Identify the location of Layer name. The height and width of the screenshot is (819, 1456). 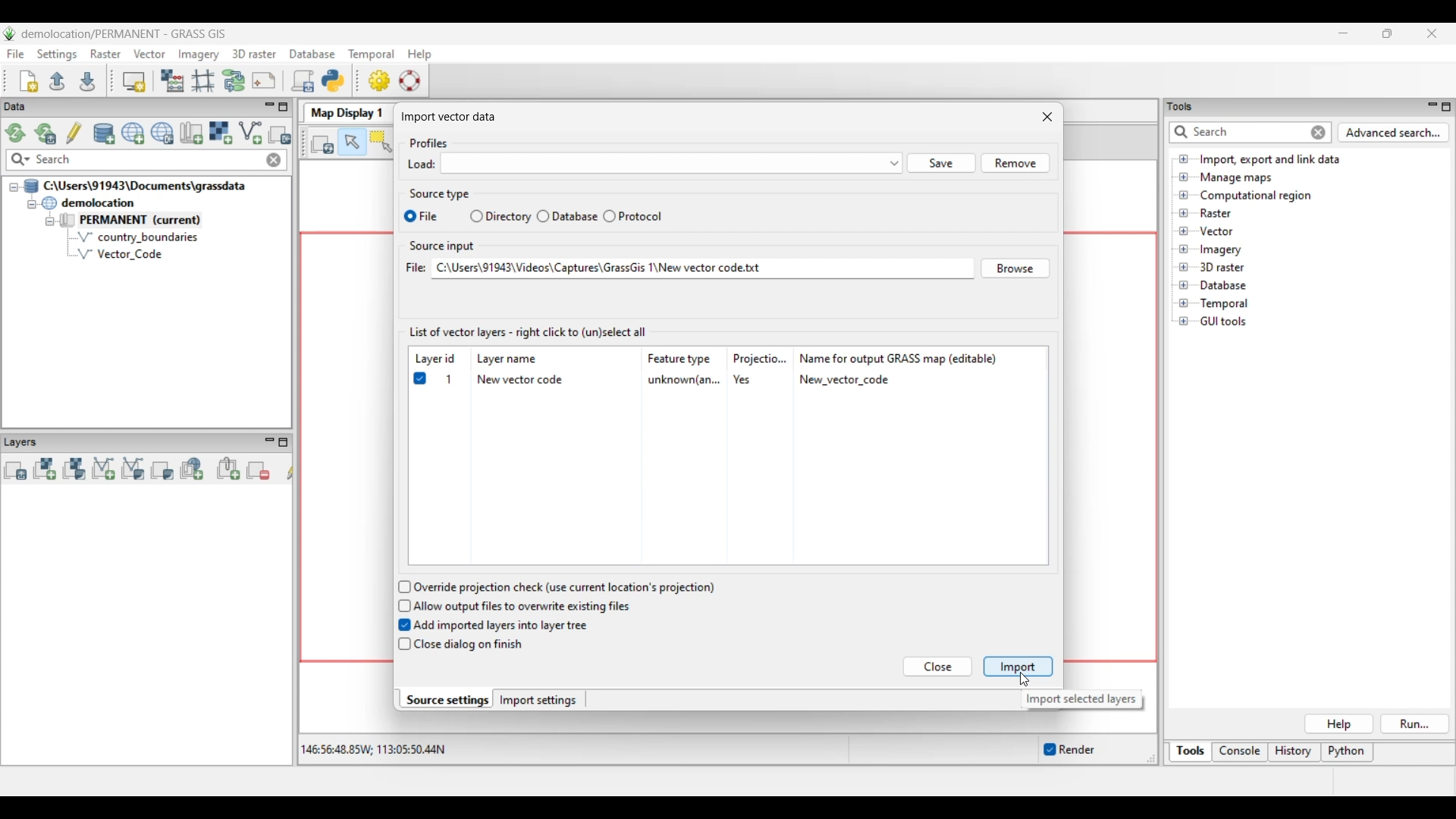
(510, 357).